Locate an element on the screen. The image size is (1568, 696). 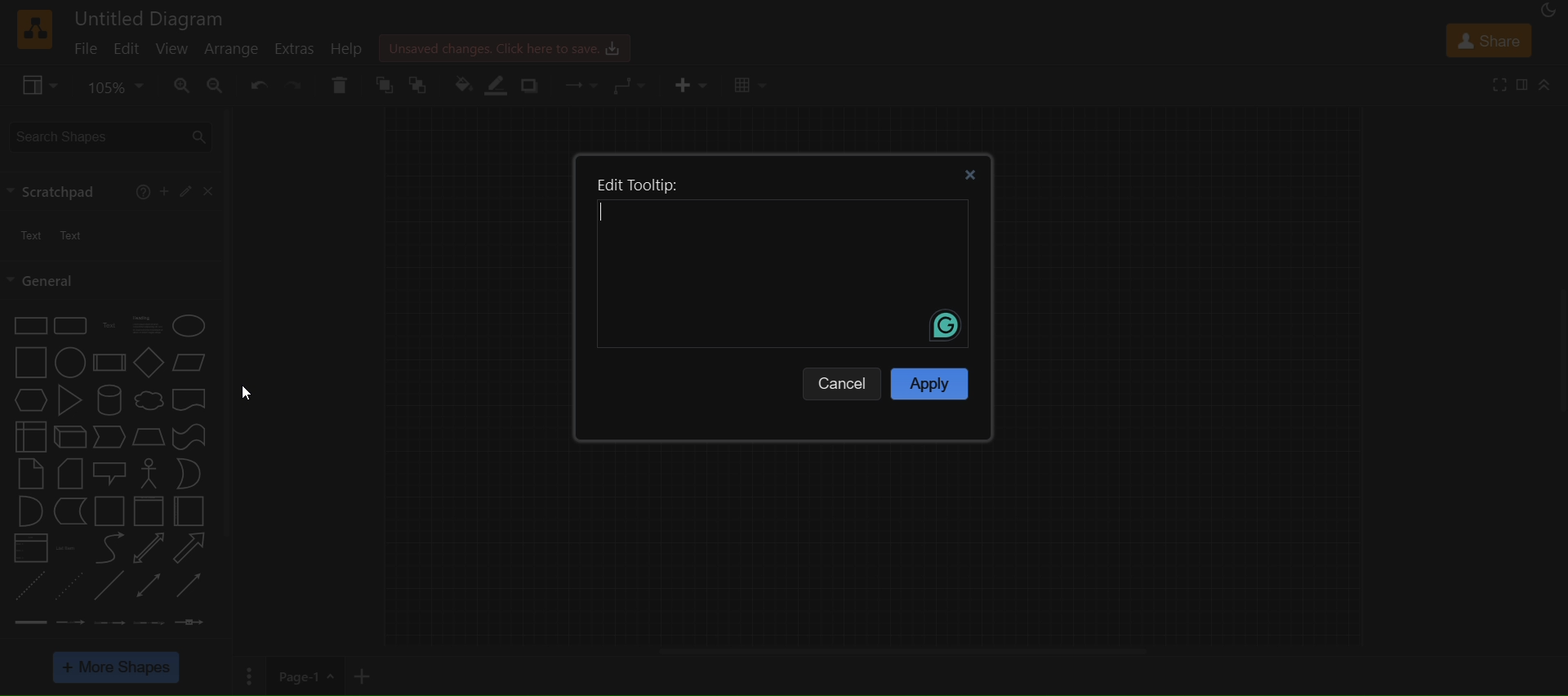
directional connector is located at coordinates (189, 586).